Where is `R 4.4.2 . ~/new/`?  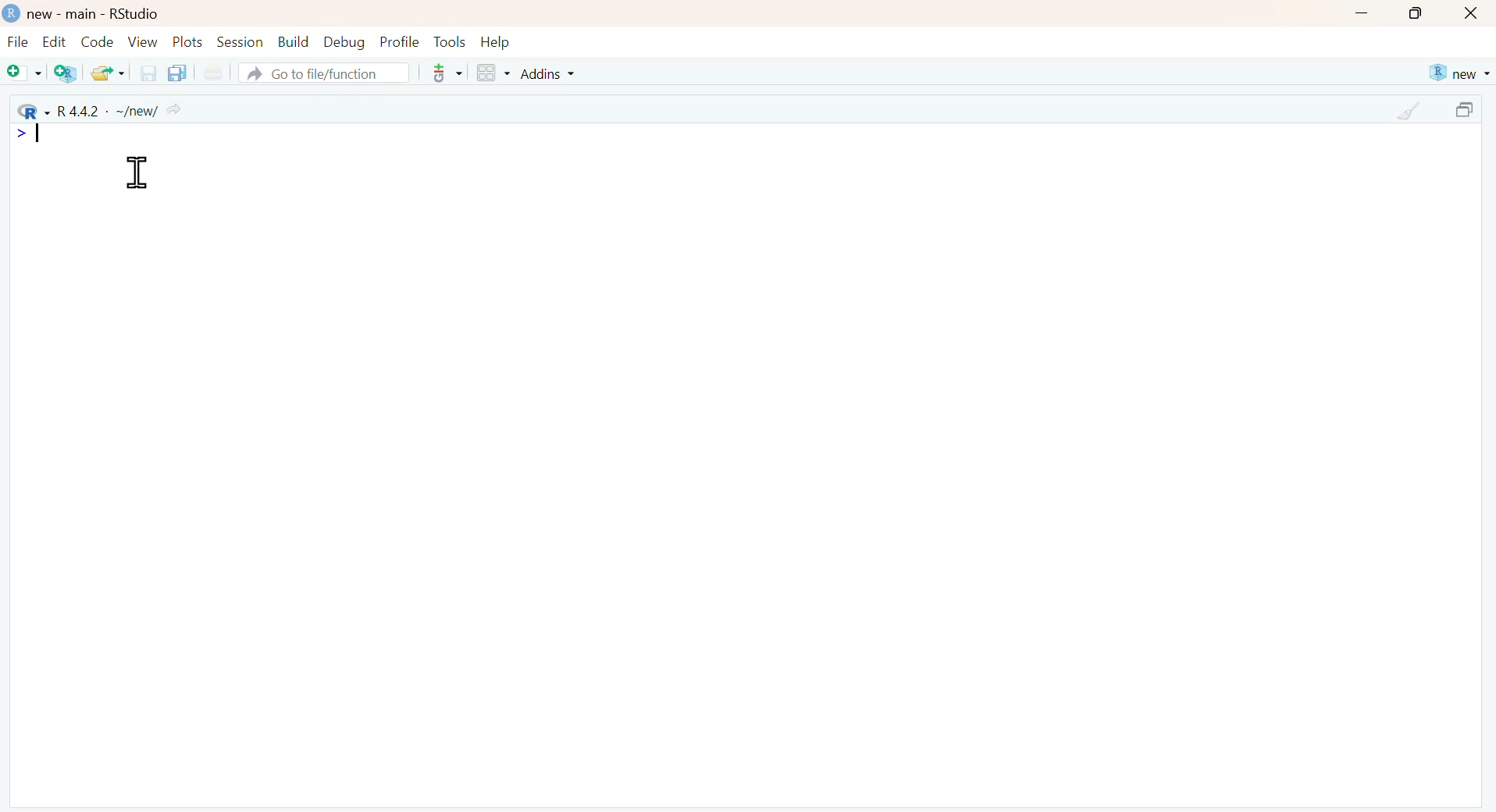
R 4.4.2 . ~/new/ is located at coordinates (101, 110).